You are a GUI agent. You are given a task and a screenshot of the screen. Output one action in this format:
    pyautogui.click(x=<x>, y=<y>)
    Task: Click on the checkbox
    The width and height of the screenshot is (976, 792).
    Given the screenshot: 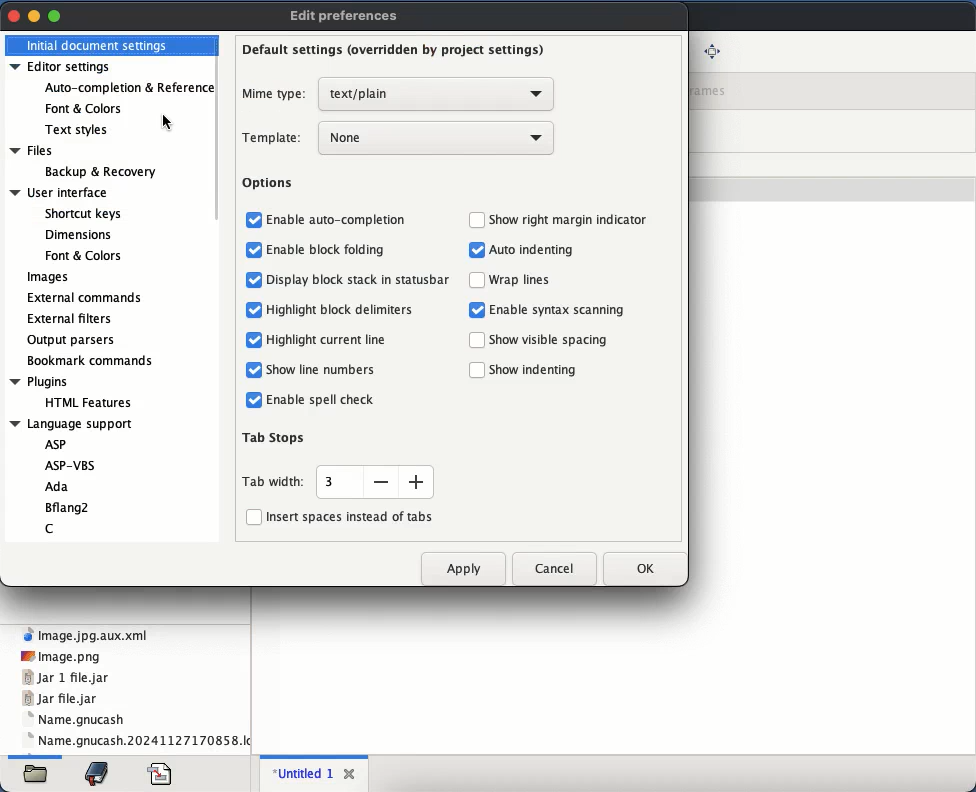 What is the action you would take?
    pyautogui.click(x=474, y=341)
    